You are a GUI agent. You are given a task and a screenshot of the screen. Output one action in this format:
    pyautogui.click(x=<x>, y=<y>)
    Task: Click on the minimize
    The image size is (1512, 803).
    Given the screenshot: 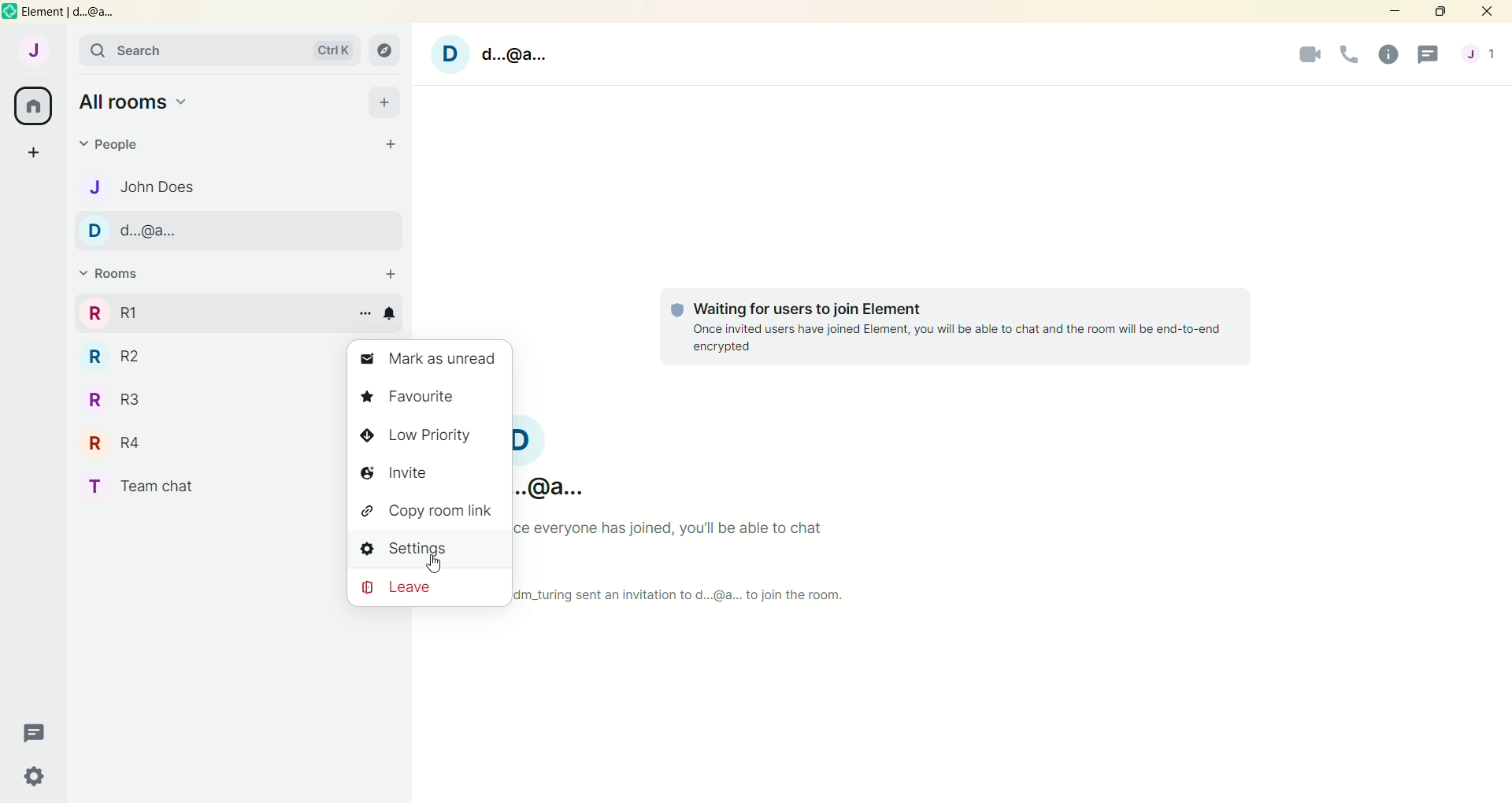 What is the action you would take?
    pyautogui.click(x=1397, y=13)
    